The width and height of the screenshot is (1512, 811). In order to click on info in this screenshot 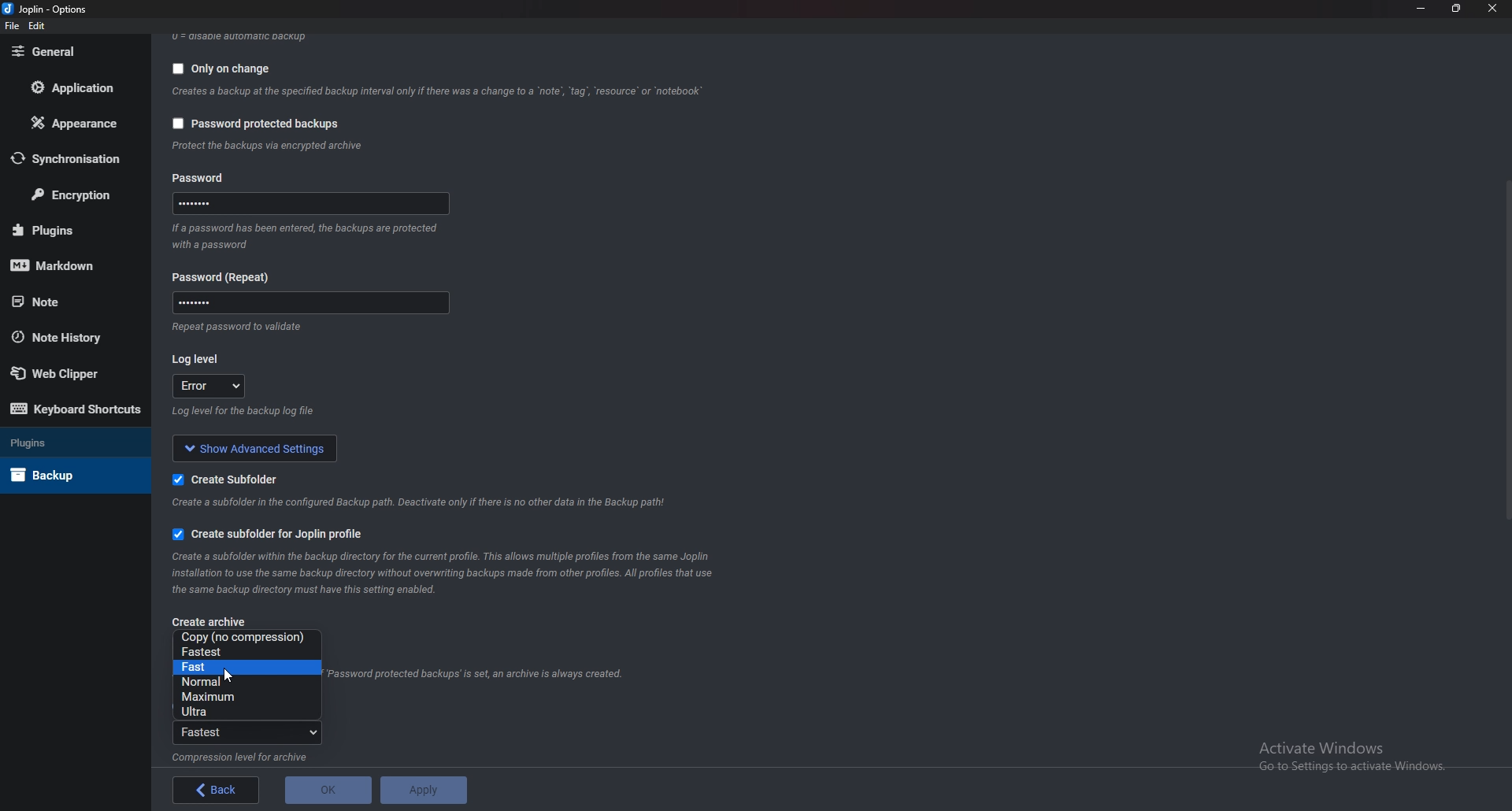, I will do `click(268, 146)`.